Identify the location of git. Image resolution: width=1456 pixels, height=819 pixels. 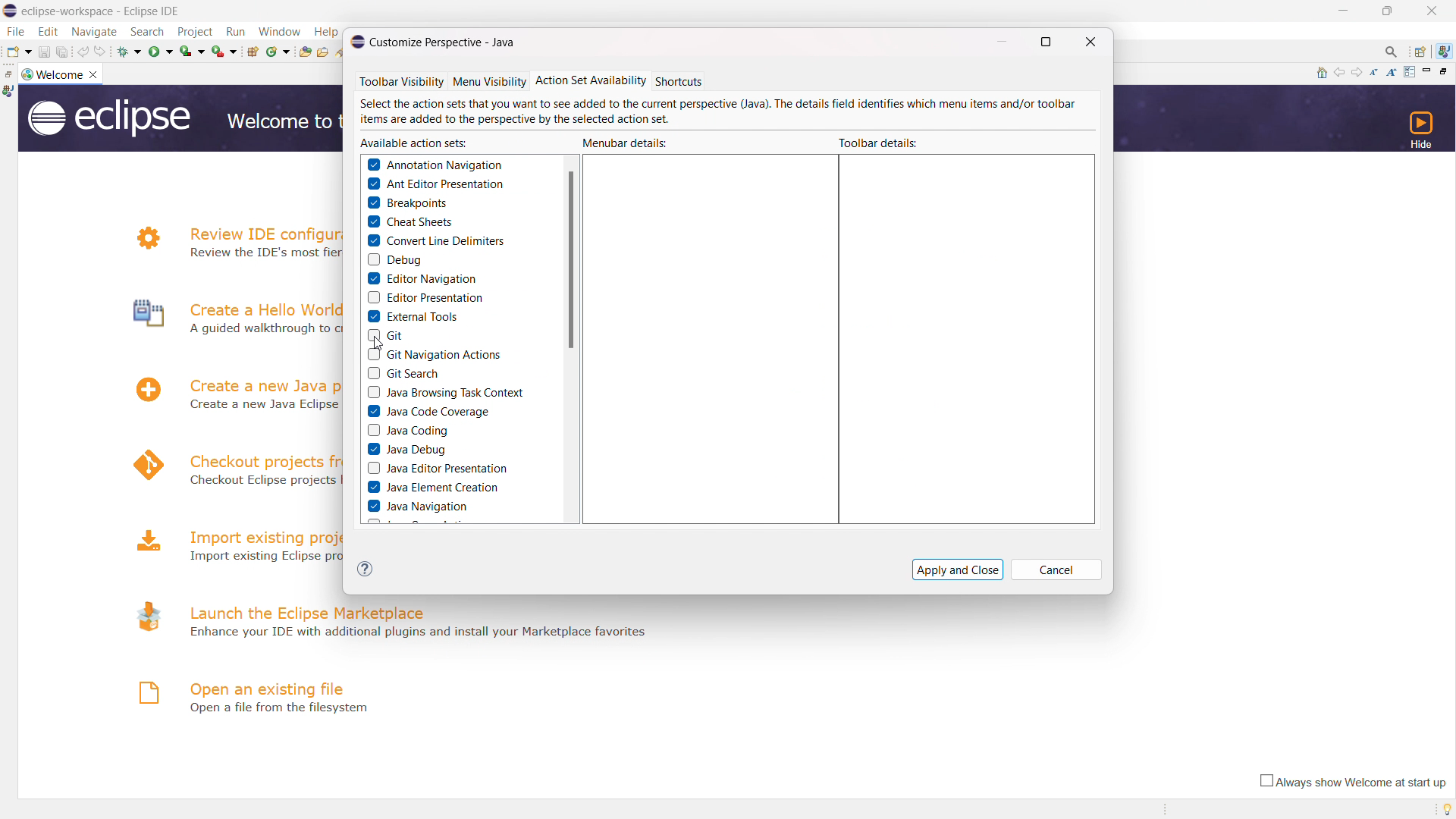
(385, 334).